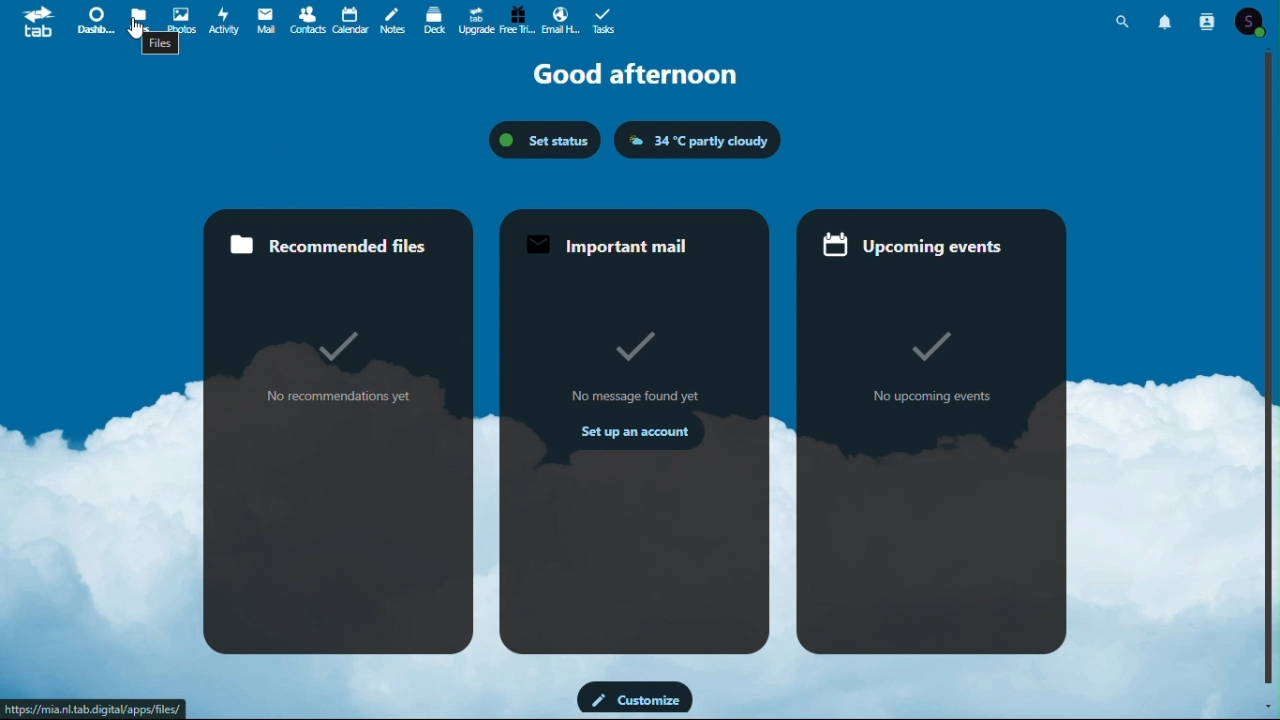 The height and width of the screenshot is (720, 1280). What do you see at coordinates (435, 19) in the screenshot?
I see `deck` at bounding box center [435, 19].